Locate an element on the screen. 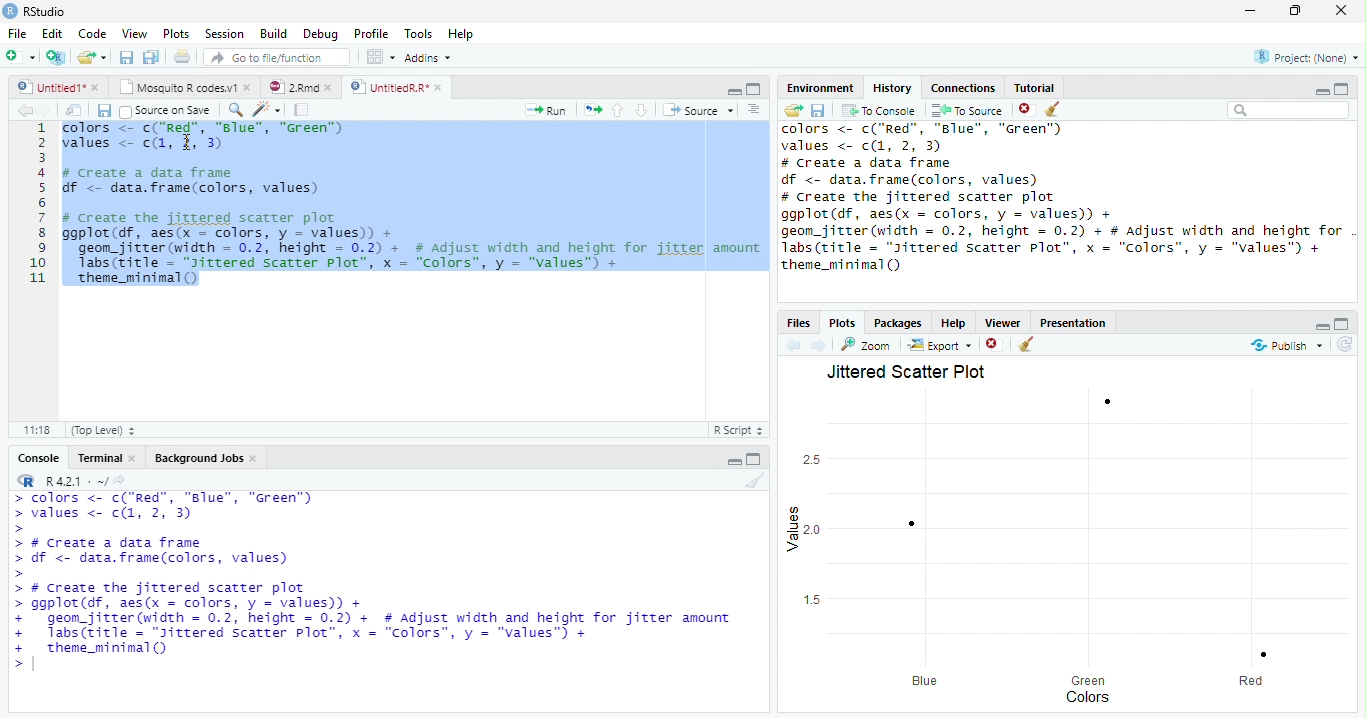  Clear all history entries is located at coordinates (1055, 109).